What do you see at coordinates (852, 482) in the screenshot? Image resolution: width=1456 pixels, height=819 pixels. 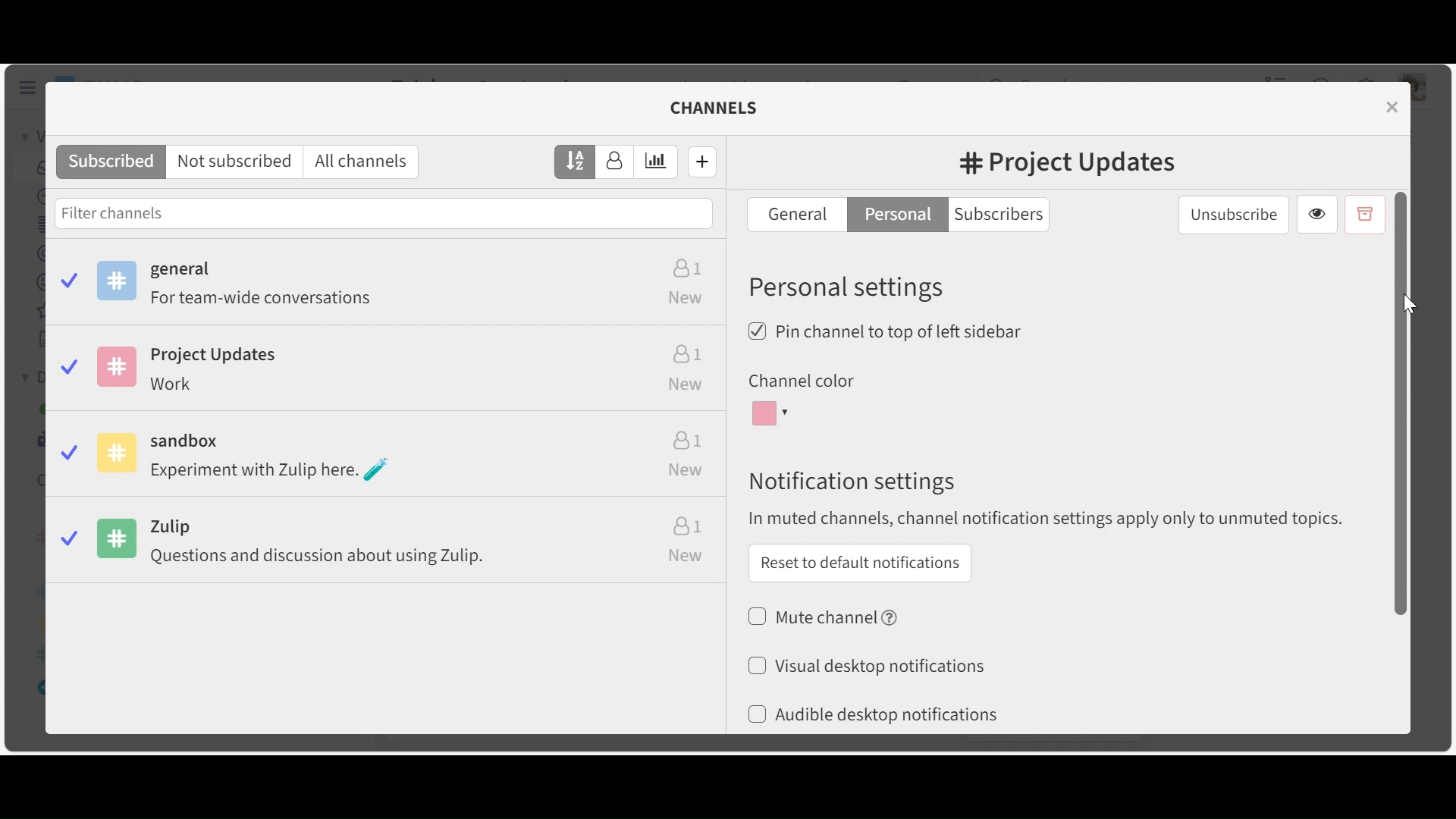 I see `Notification settings` at bounding box center [852, 482].